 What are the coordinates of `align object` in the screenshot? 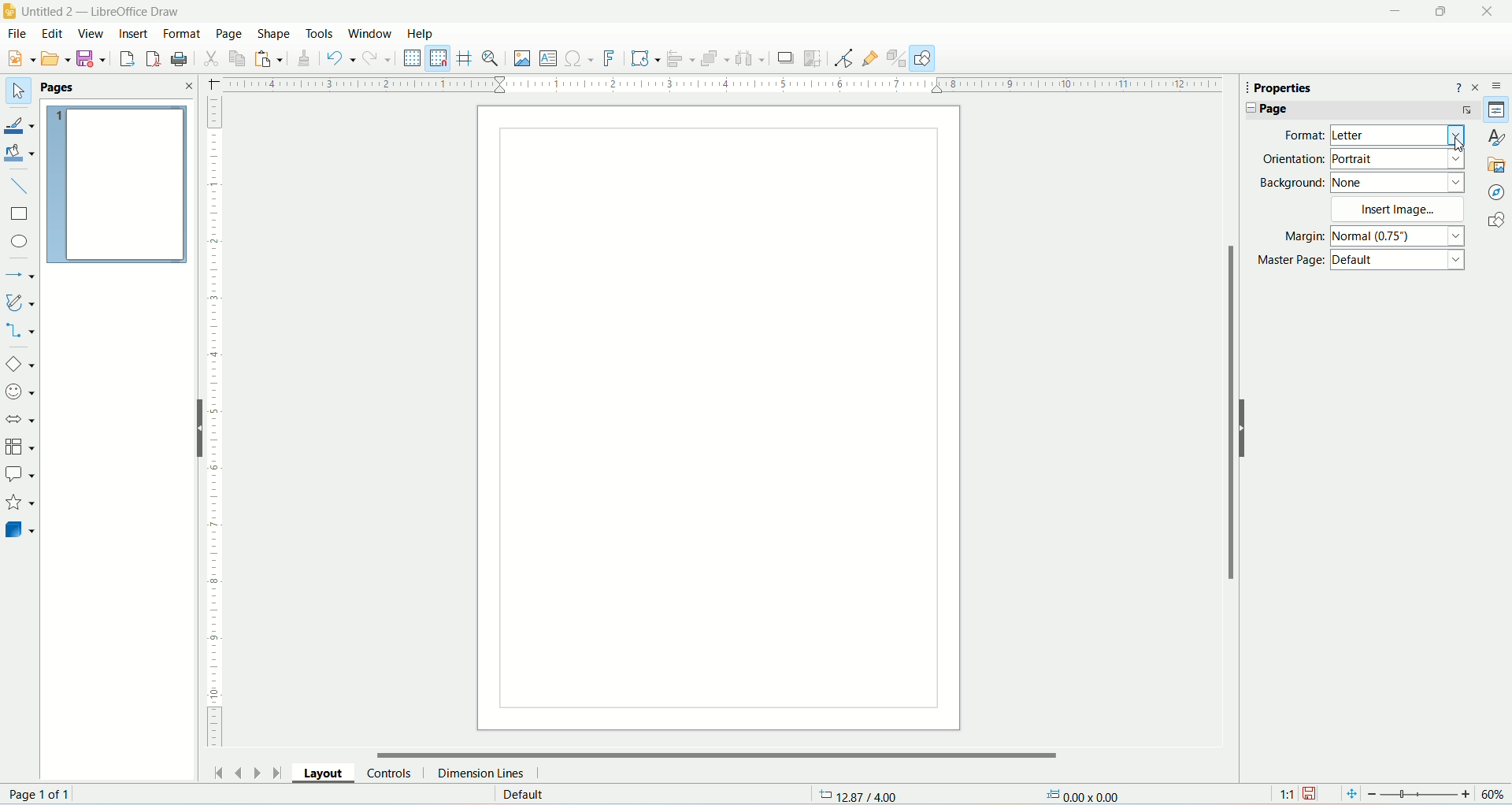 It's located at (680, 61).